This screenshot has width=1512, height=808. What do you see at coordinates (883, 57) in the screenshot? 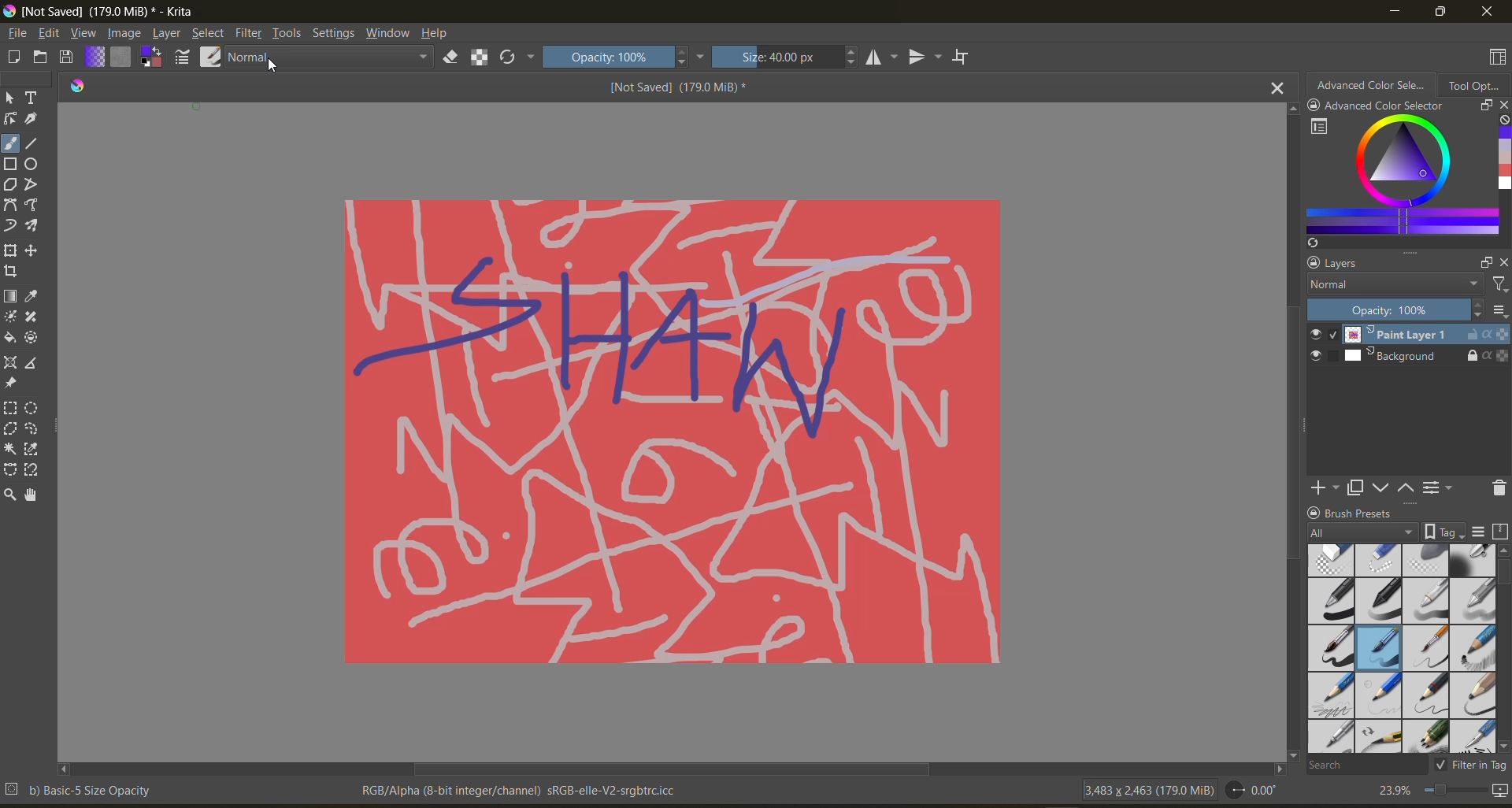
I see `flip horizontally` at bounding box center [883, 57].